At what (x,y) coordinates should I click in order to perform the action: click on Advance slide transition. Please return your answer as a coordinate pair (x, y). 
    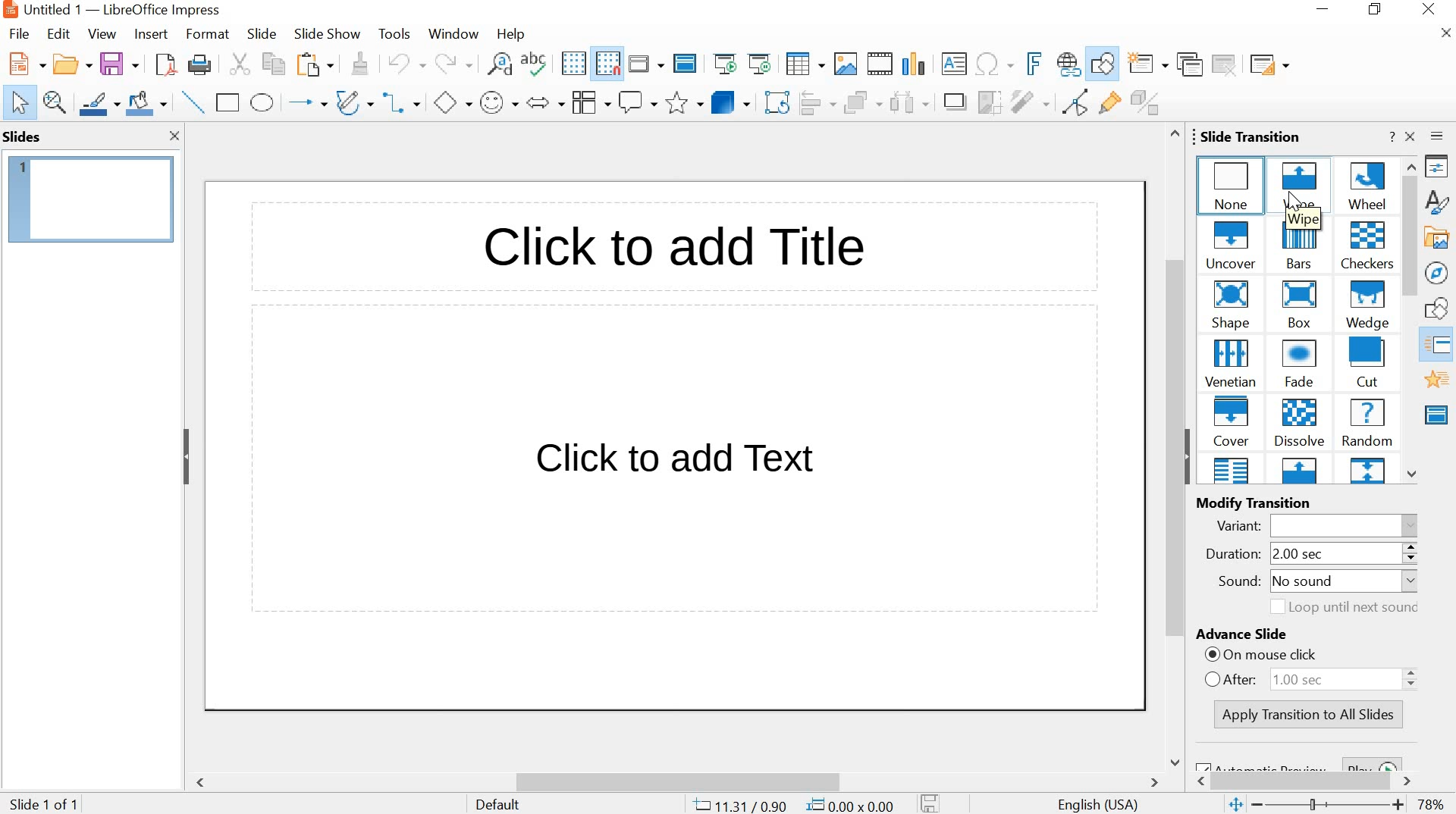
    Looking at the image, I should click on (1310, 636).